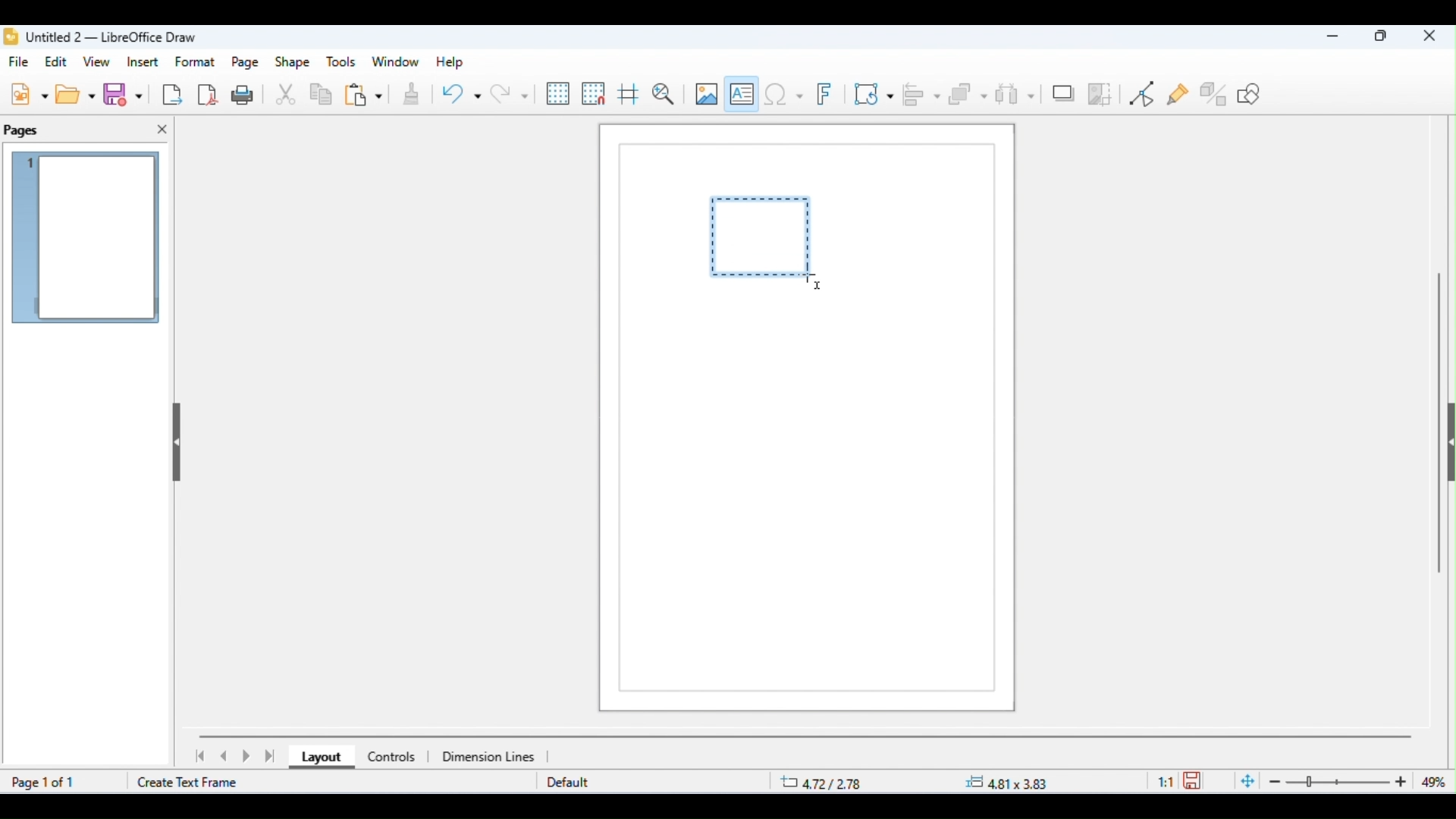 This screenshot has height=819, width=1456. I want to click on insert special characters, so click(783, 93).